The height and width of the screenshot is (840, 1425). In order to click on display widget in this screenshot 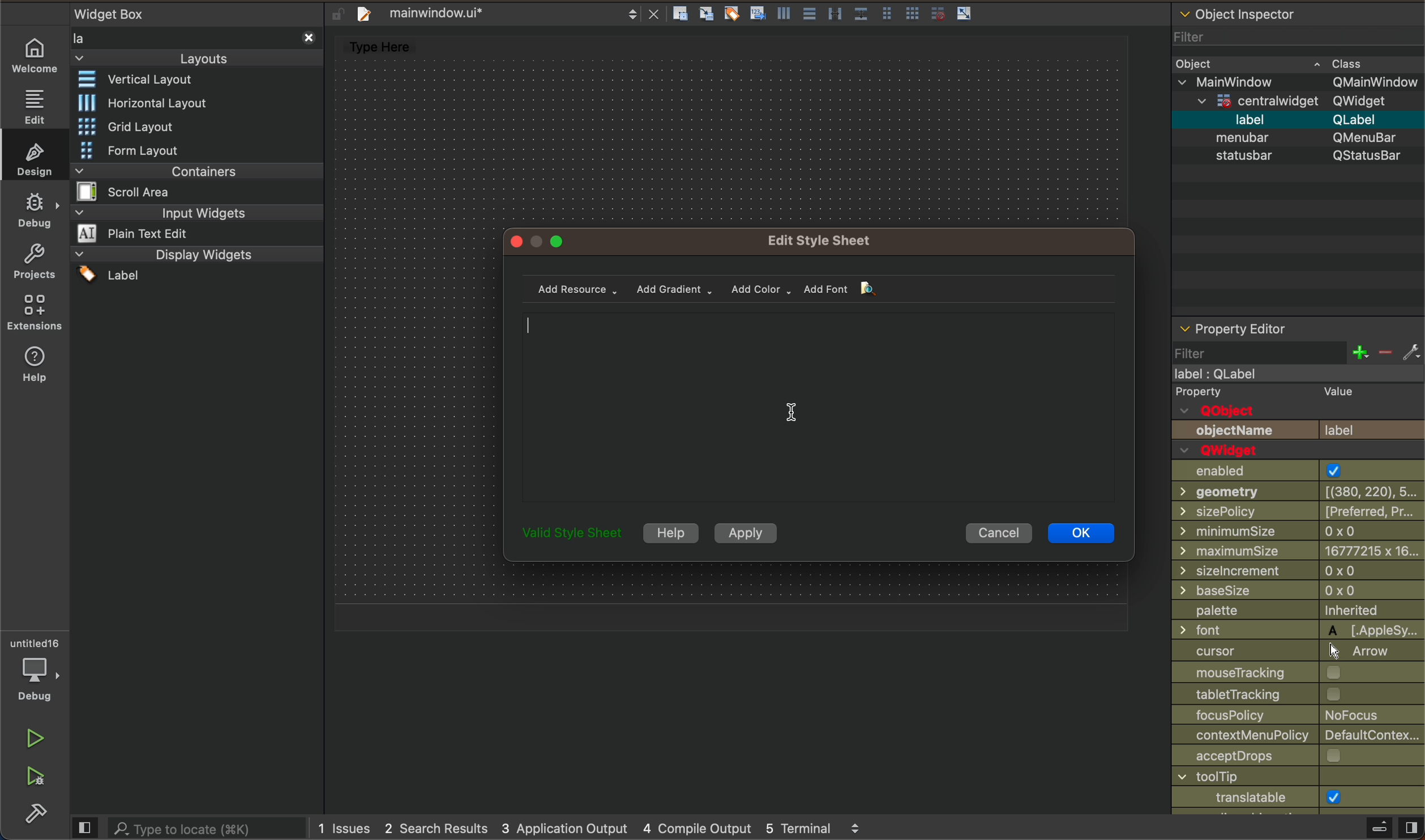, I will do `click(194, 264)`.